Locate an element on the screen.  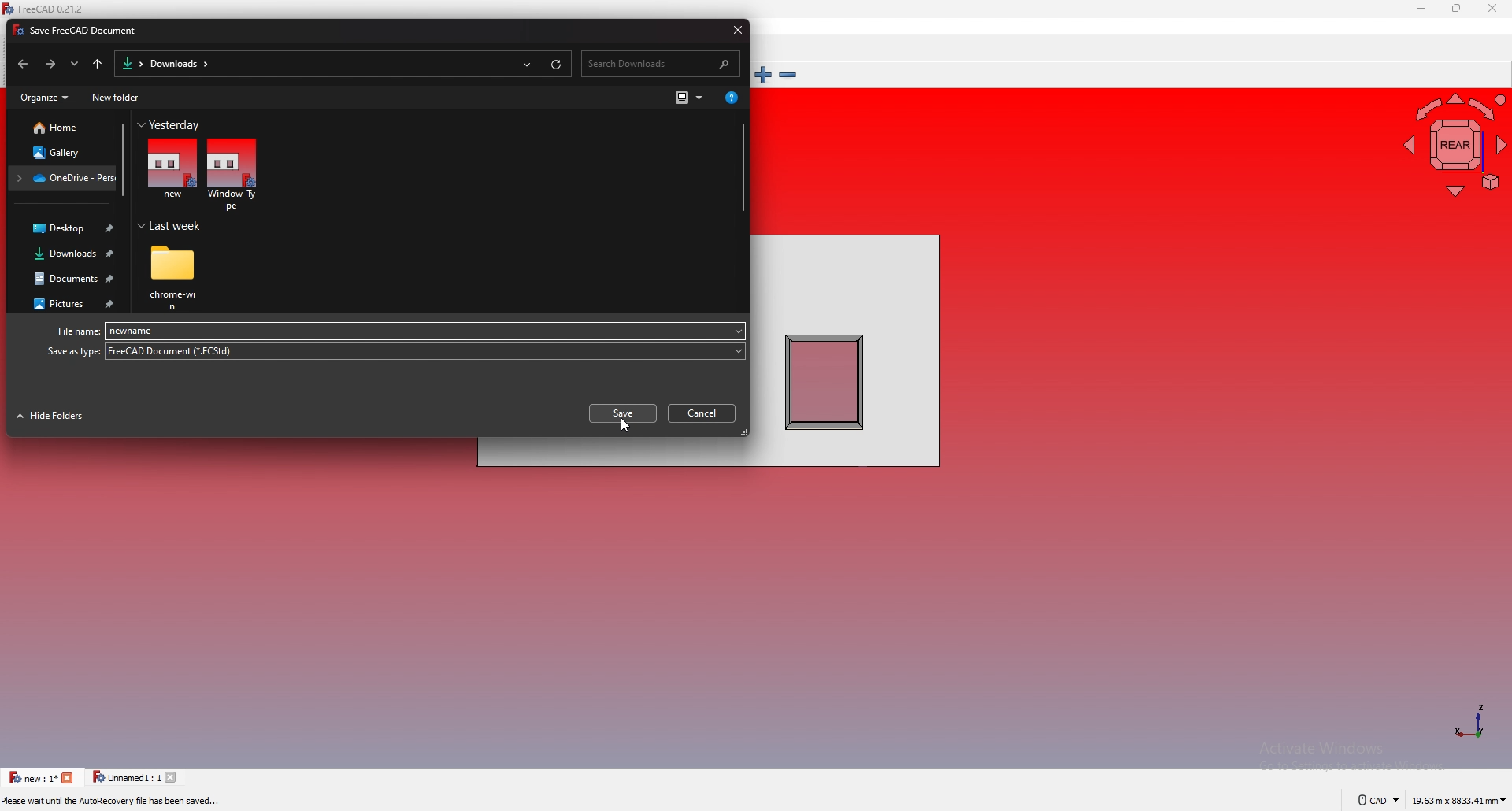
save is located at coordinates (624, 414).